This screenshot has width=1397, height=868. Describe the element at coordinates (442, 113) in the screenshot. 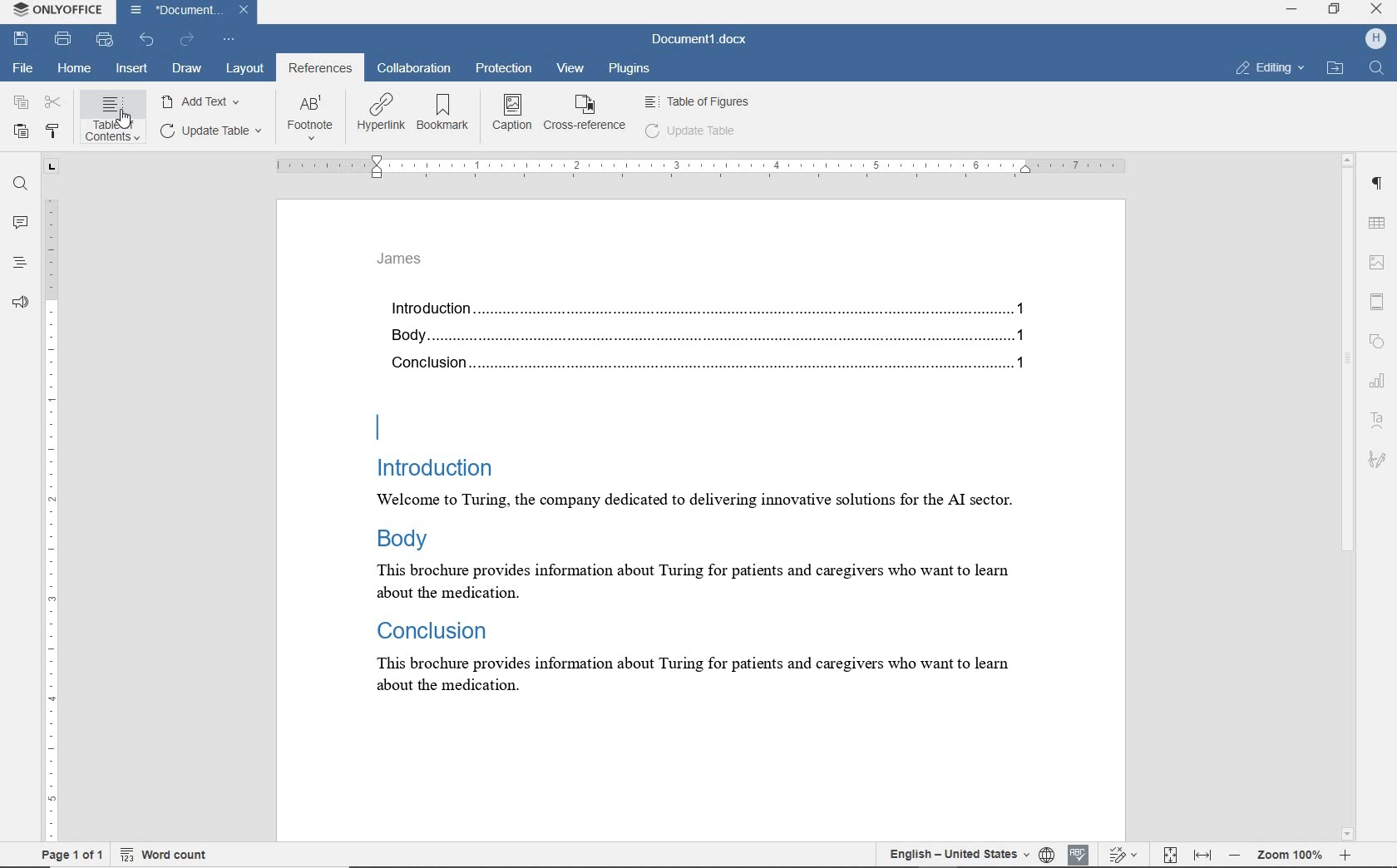

I see `bookmark` at that location.